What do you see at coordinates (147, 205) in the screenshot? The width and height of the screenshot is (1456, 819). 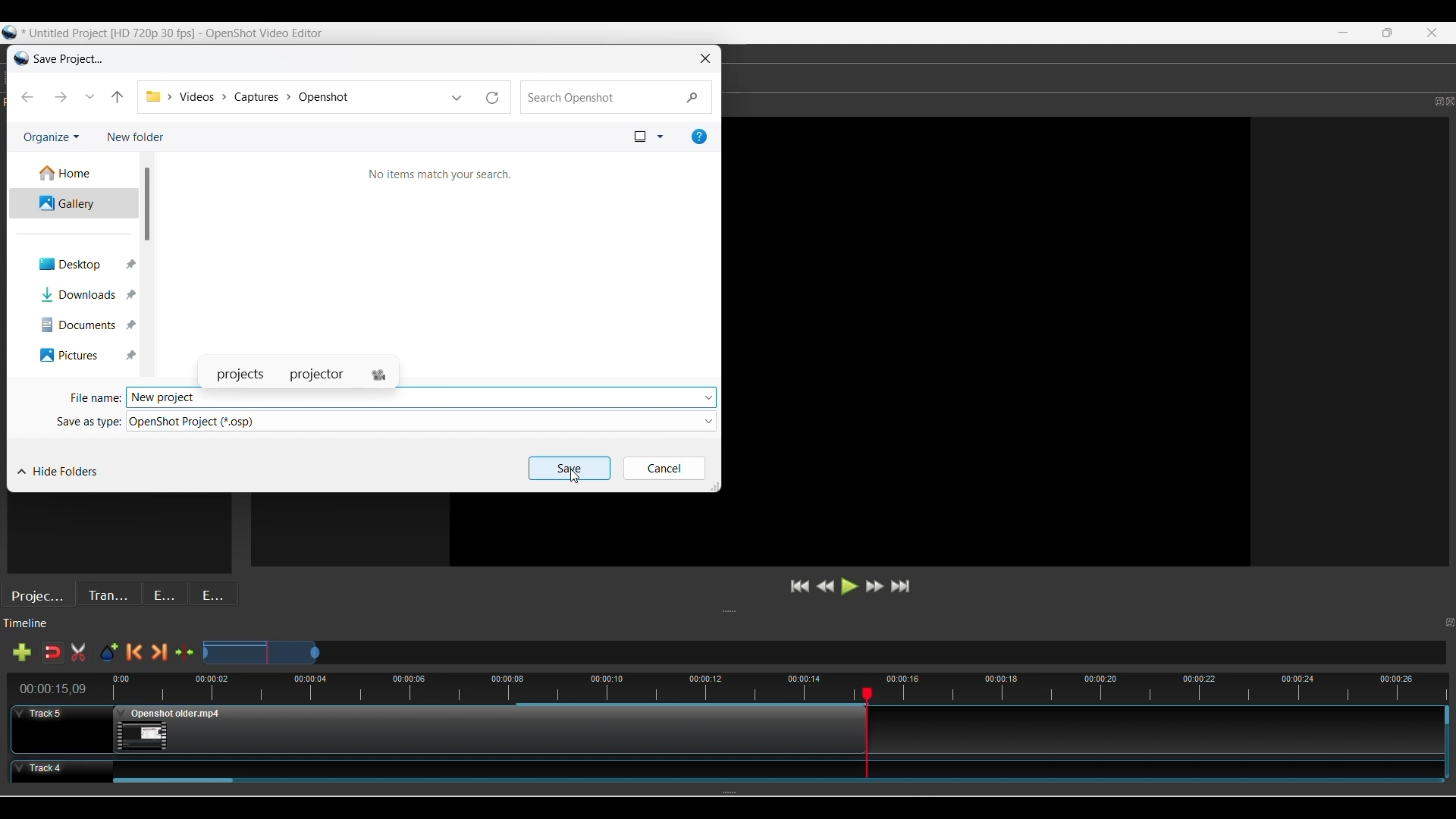 I see `Vertical slide bar` at bounding box center [147, 205].